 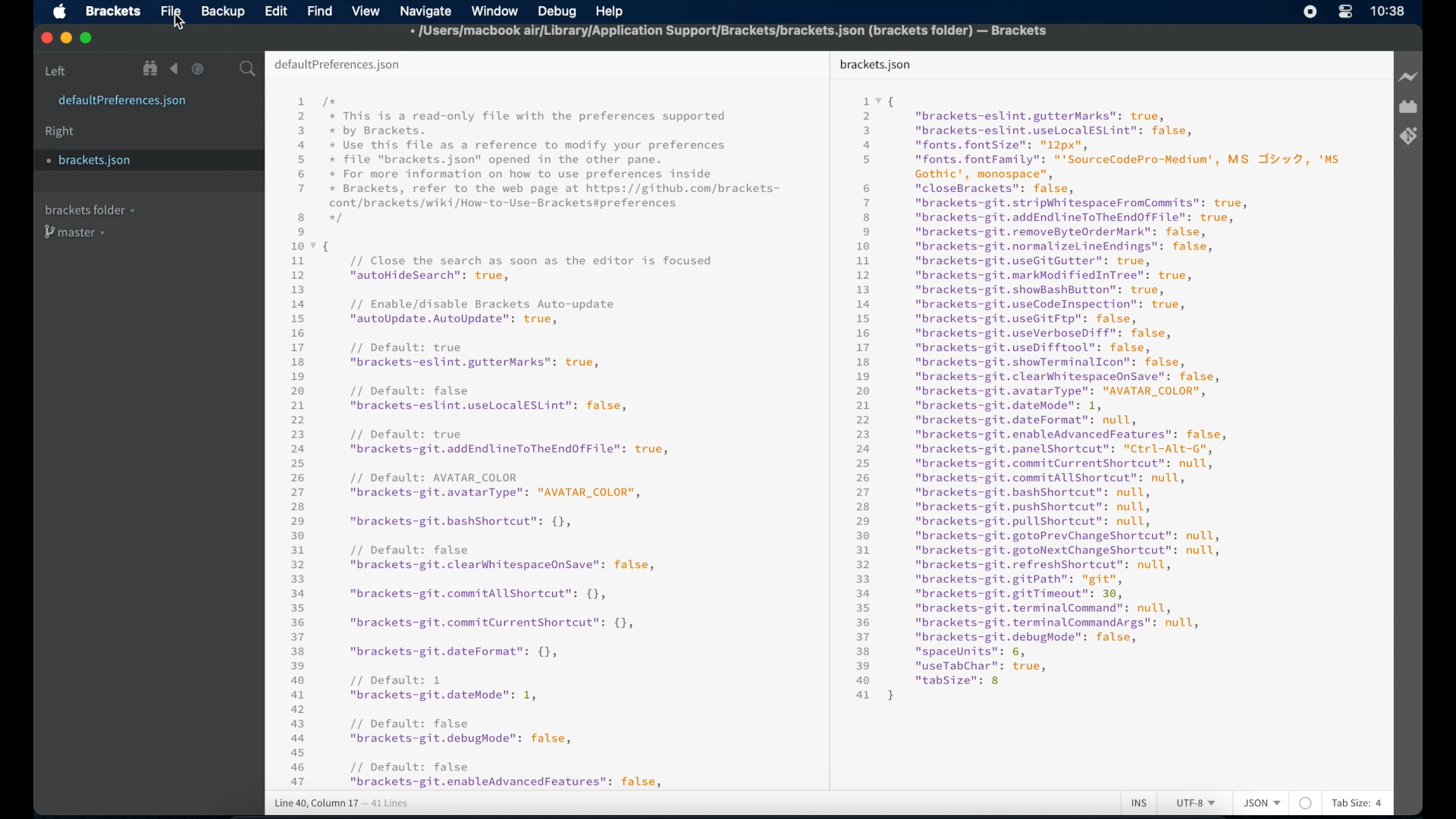 I want to click on minimize, so click(x=67, y=39).